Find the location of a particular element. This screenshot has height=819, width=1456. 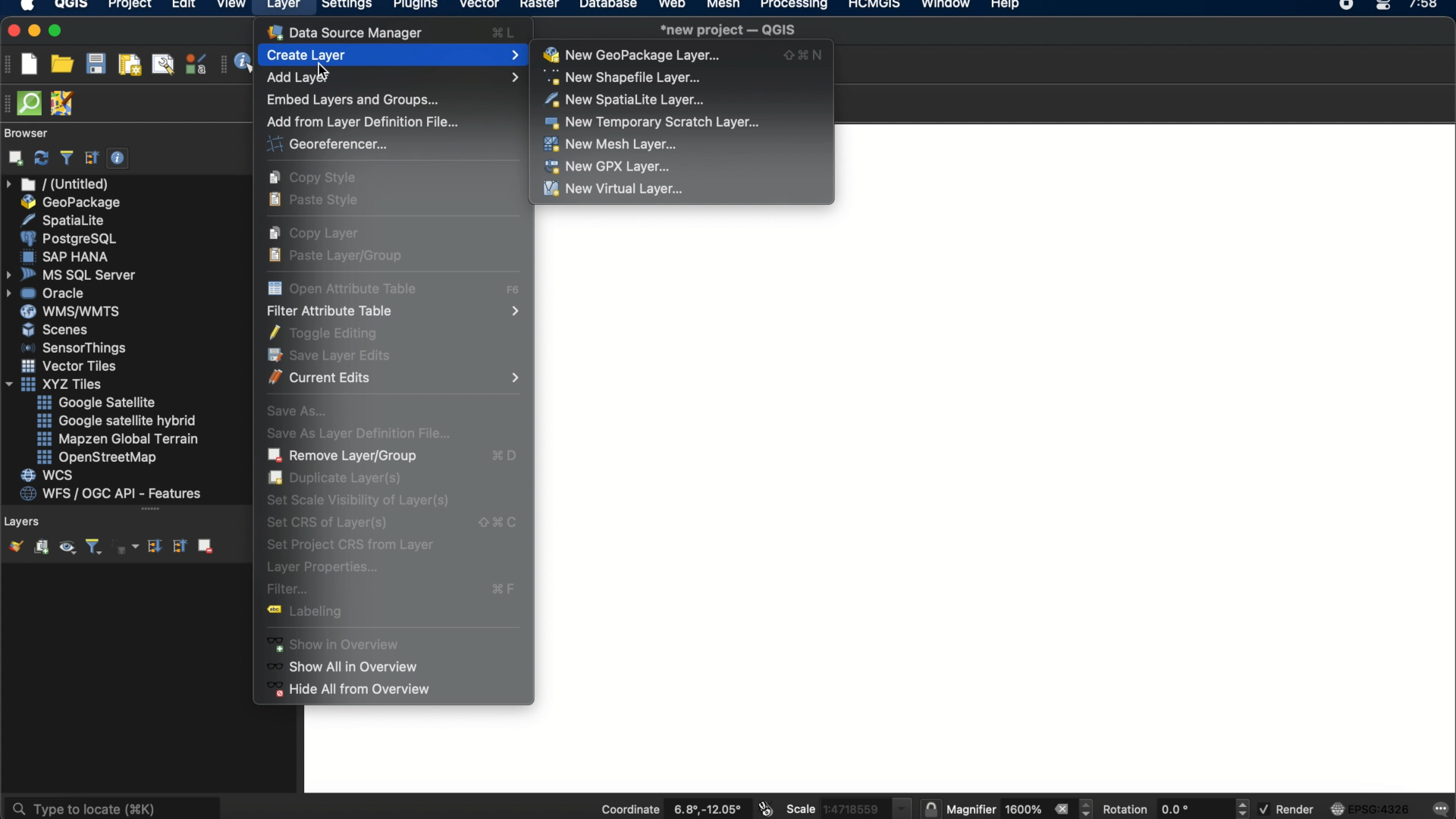

add layer is located at coordinates (393, 78).